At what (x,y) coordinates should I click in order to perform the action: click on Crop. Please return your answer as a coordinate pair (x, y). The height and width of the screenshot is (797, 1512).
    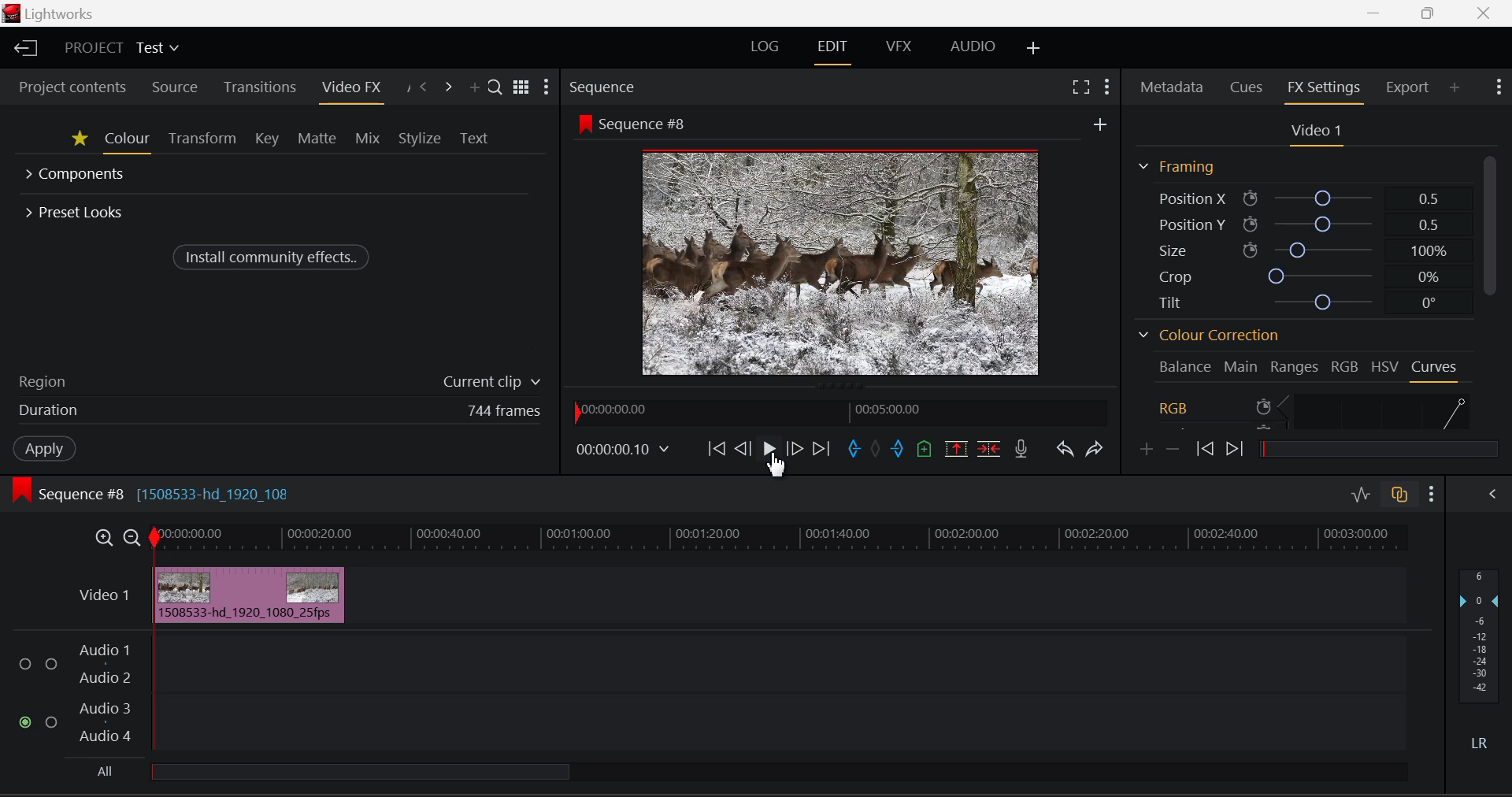
    Looking at the image, I should click on (1296, 275).